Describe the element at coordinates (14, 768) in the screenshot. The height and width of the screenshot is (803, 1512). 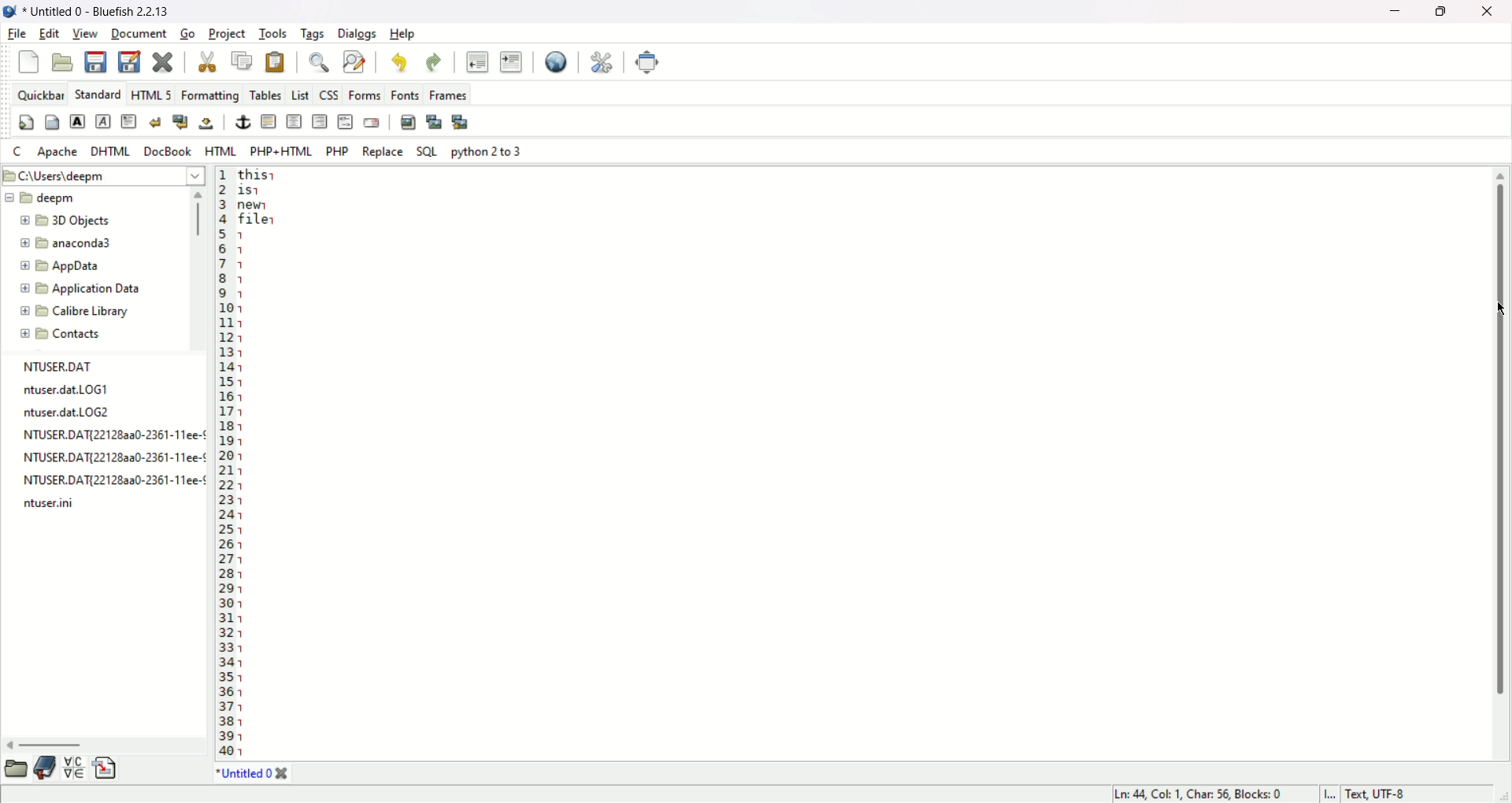
I see `file explorer` at that location.